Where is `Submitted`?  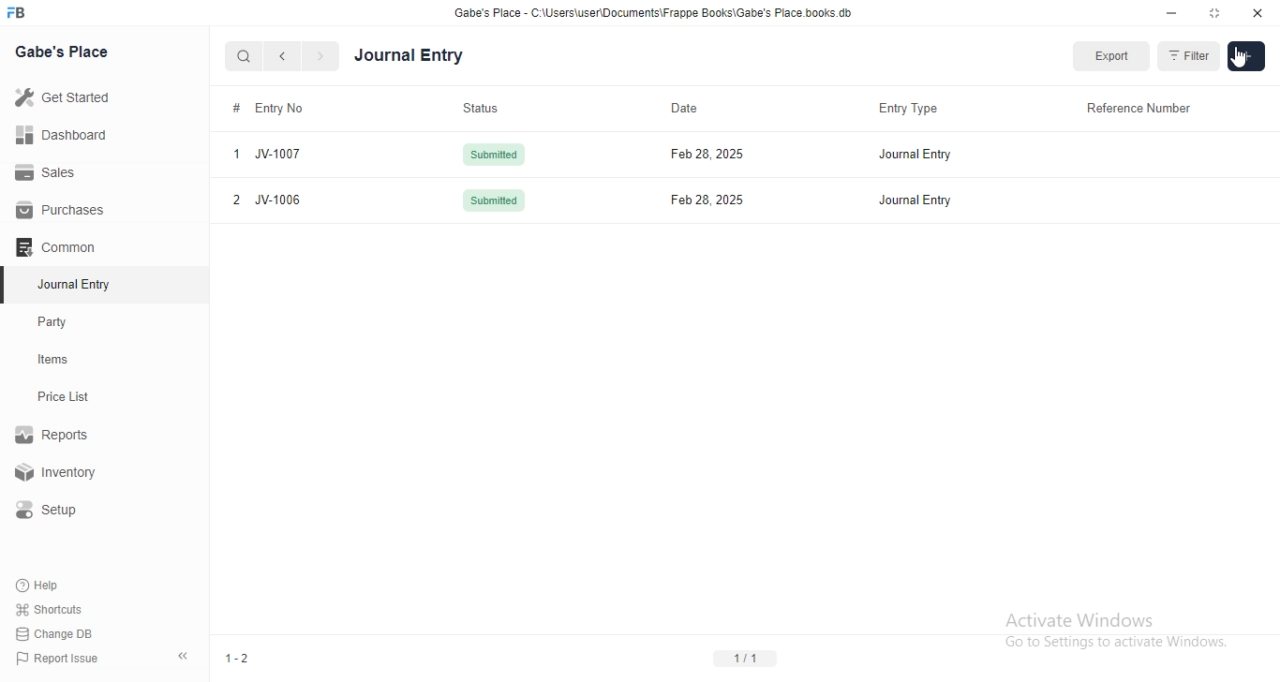 Submitted is located at coordinates (492, 203).